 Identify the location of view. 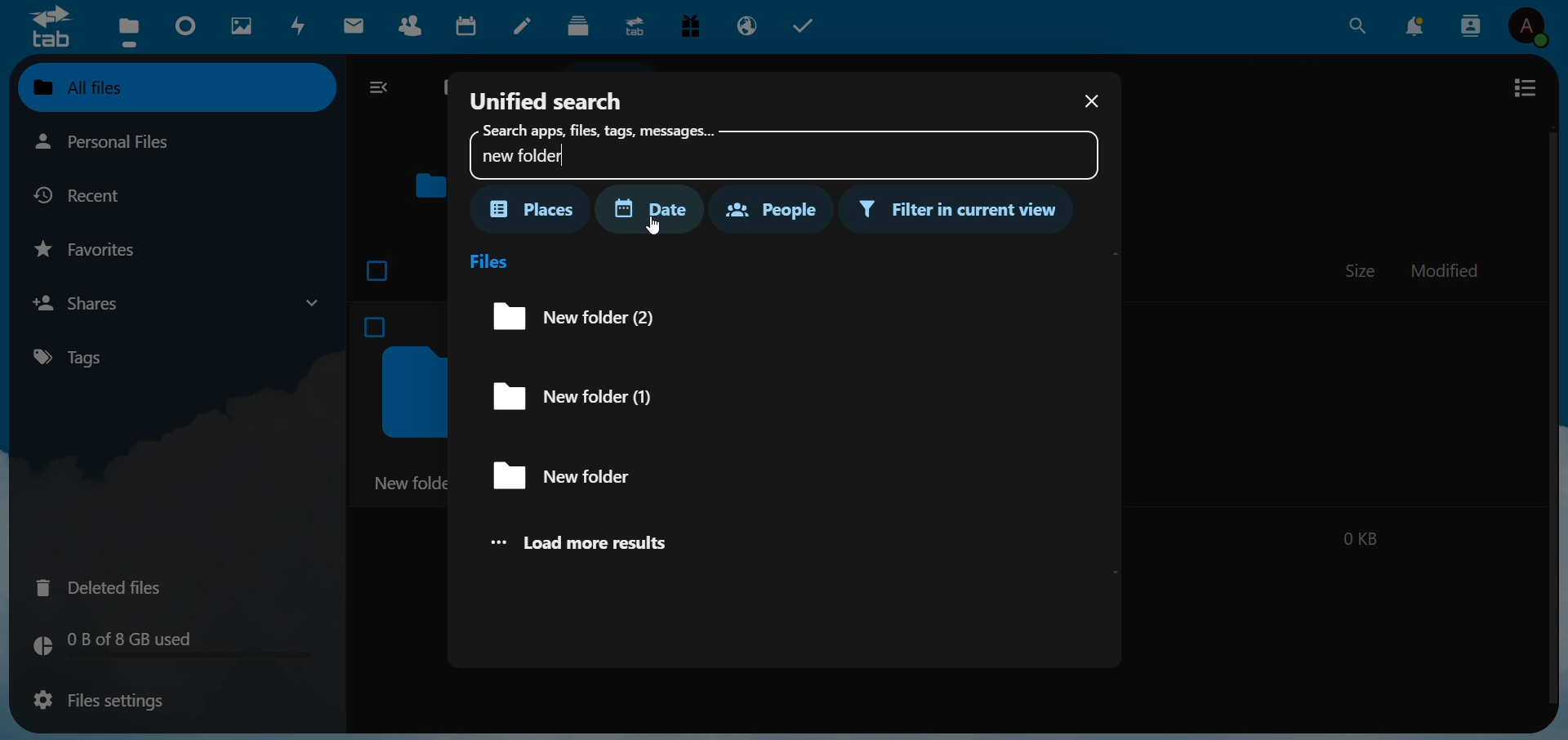
(1525, 87).